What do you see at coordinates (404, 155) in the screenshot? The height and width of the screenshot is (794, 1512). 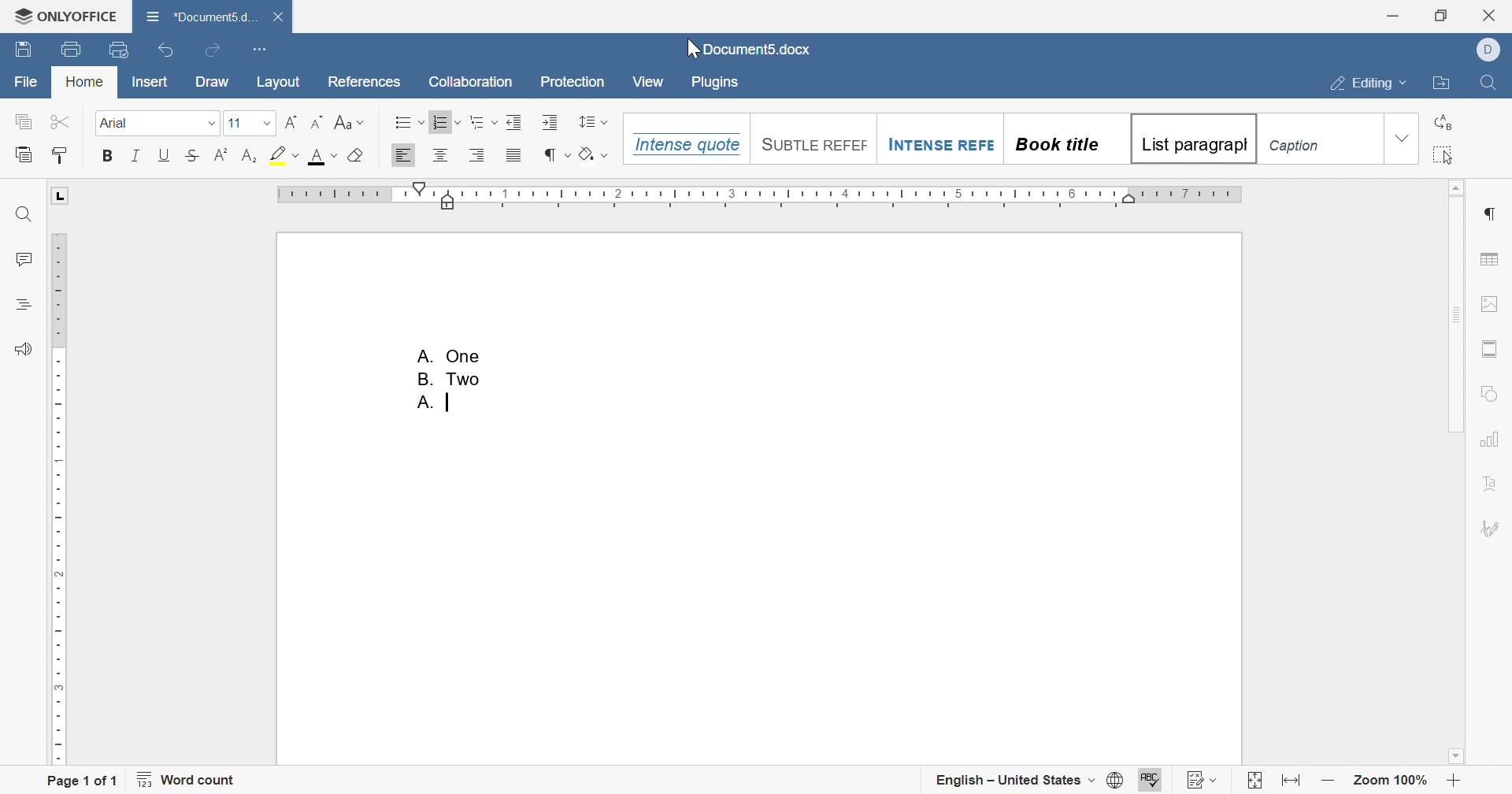 I see `Align Left` at bounding box center [404, 155].